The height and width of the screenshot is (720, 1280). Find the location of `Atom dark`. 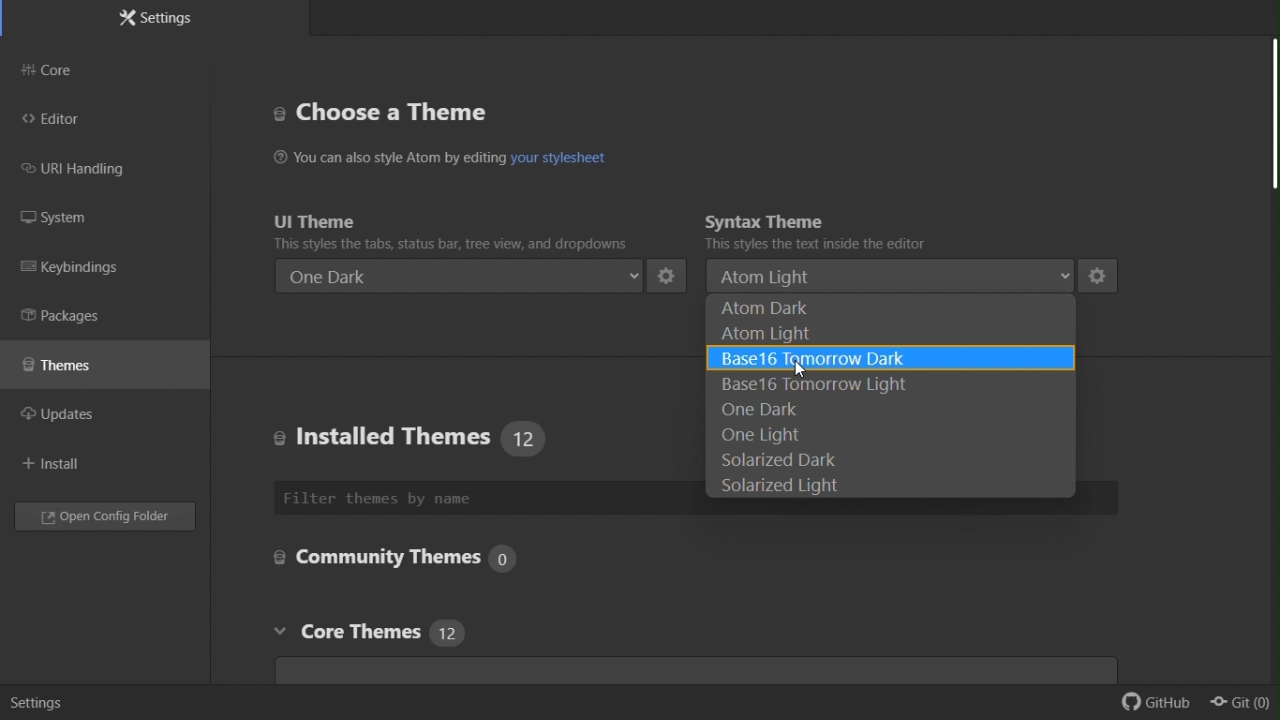

Atom dark is located at coordinates (890, 306).